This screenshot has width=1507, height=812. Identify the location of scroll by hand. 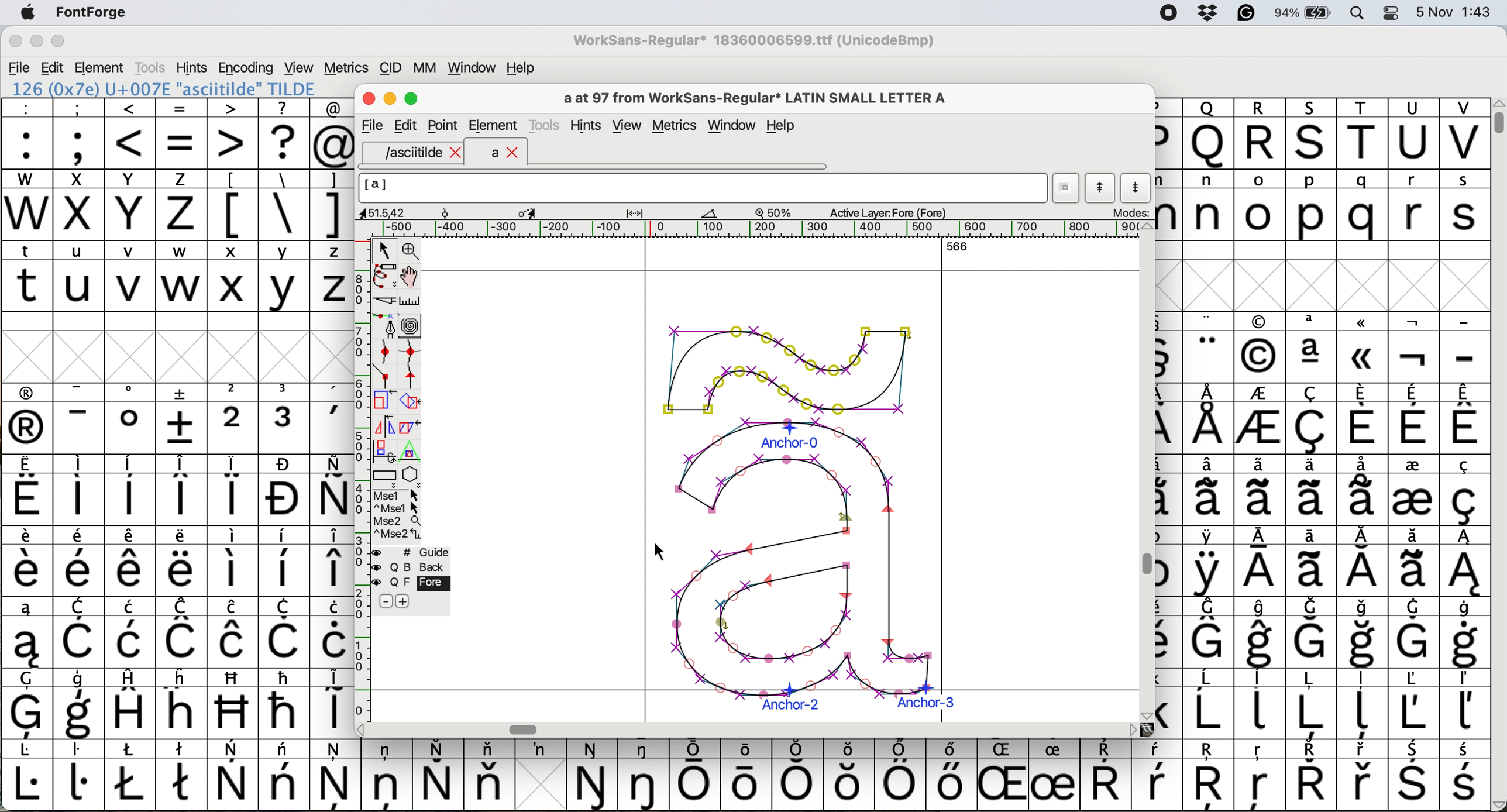
(411, 277).